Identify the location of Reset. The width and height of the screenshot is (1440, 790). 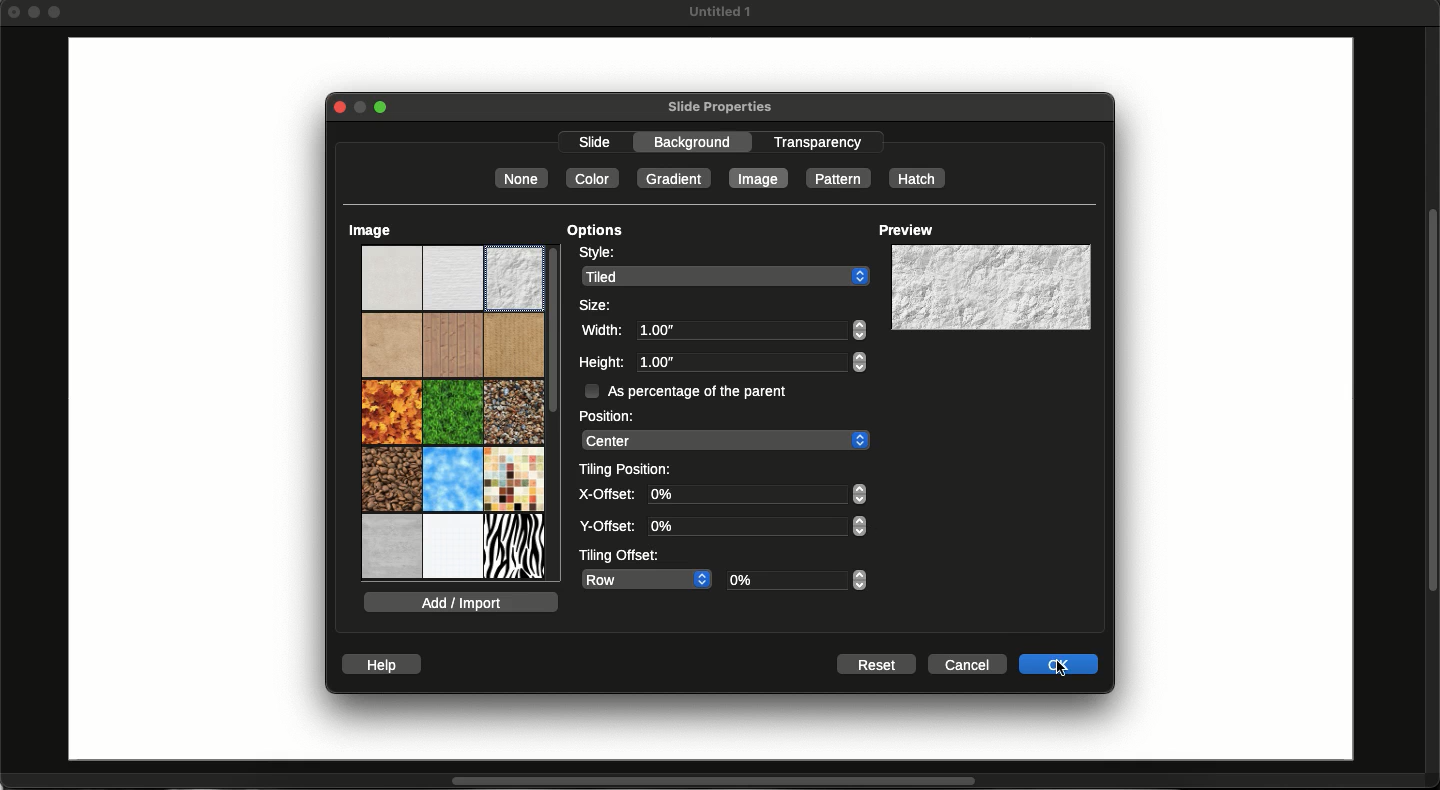
(875, 665).